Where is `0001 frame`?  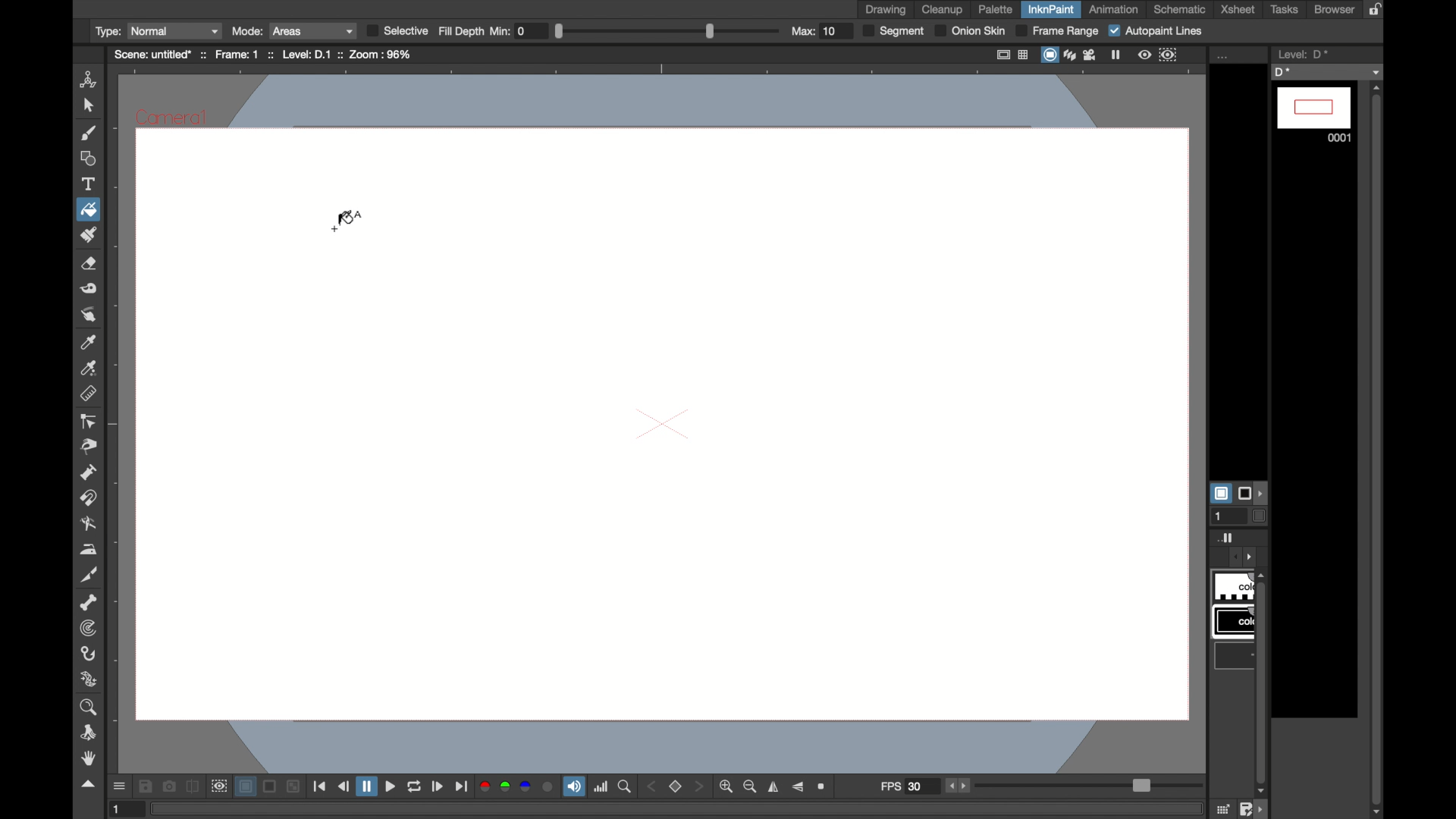
0001 frame is located at coordinates (1314, 115).